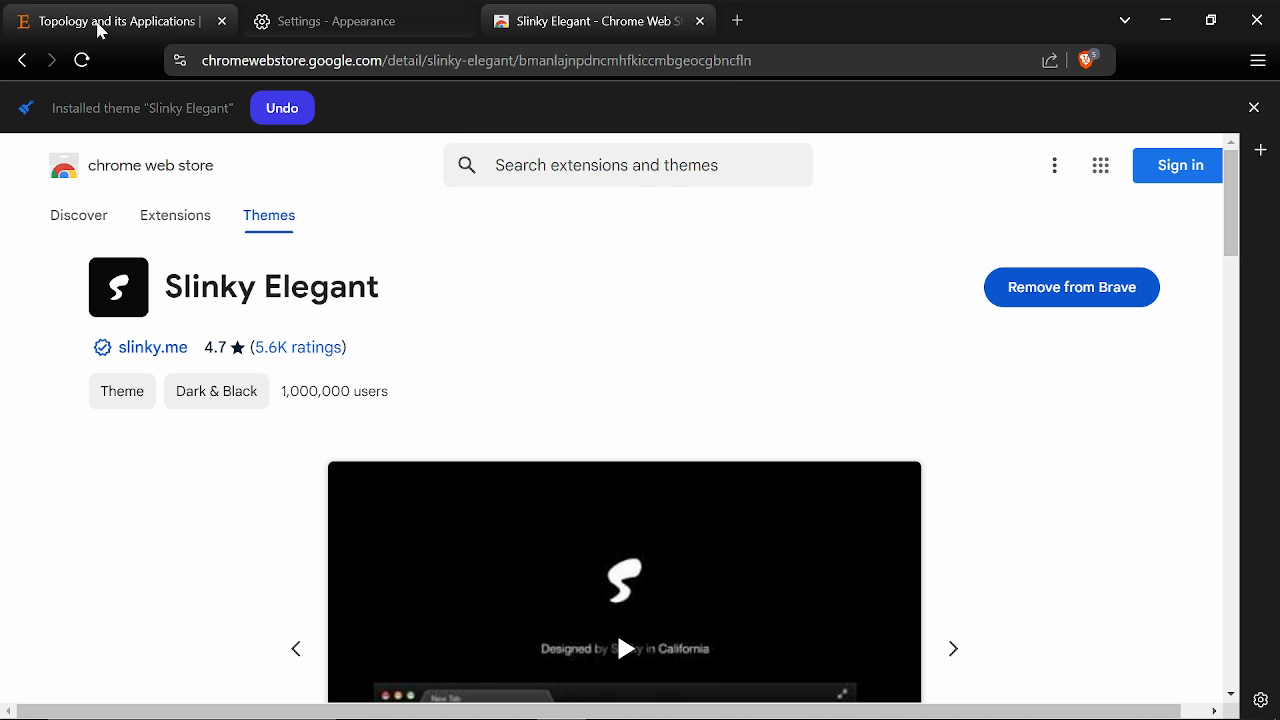 The width and height of the screenshot is (1280, 720). What do you see at coordinates (1178, 163) in the screenshot?
I see `Sign in` at bounding box center [1178, 163].